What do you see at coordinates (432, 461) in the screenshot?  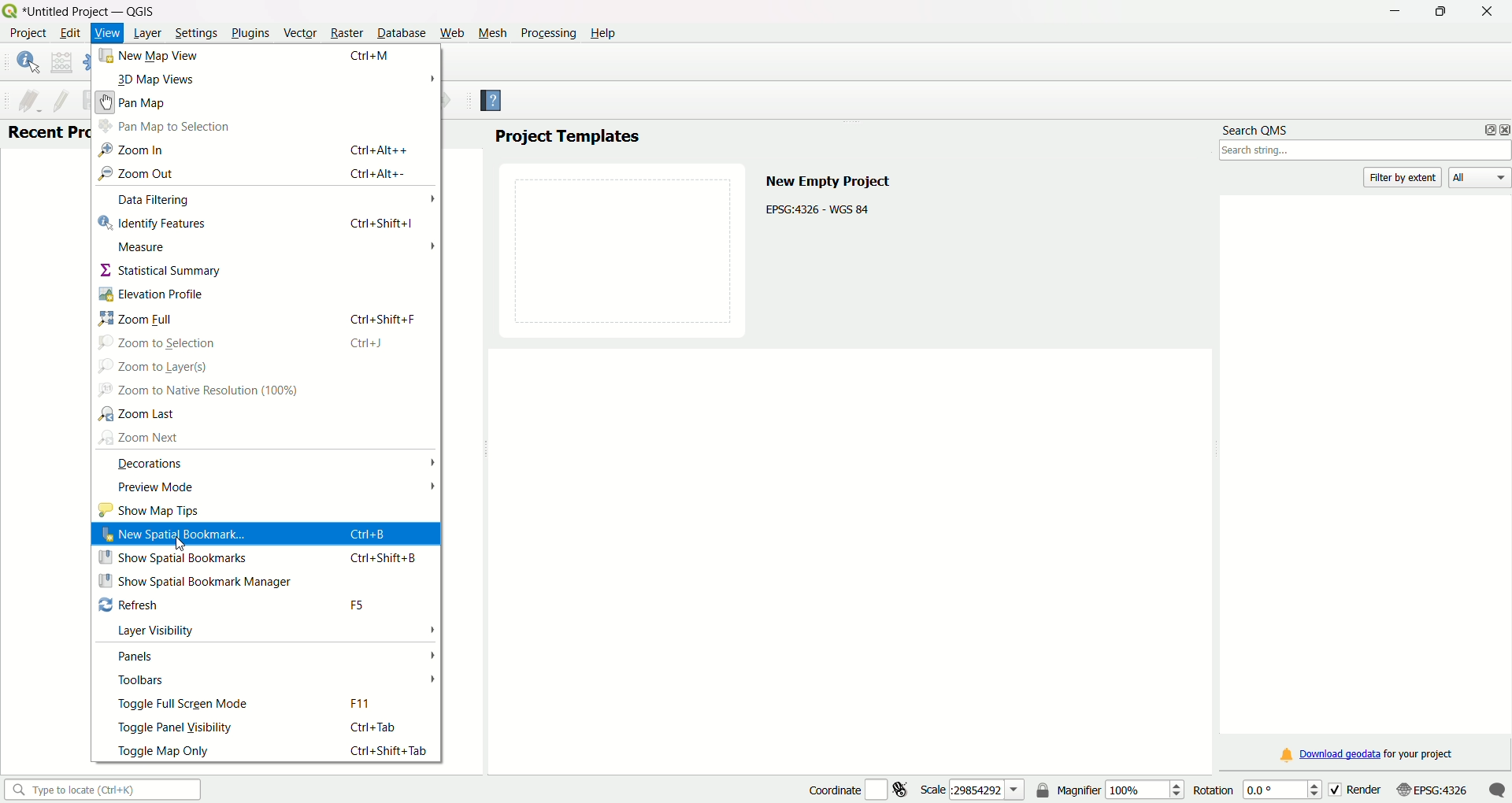 I see `arrow` at bounding box center [432, 461].